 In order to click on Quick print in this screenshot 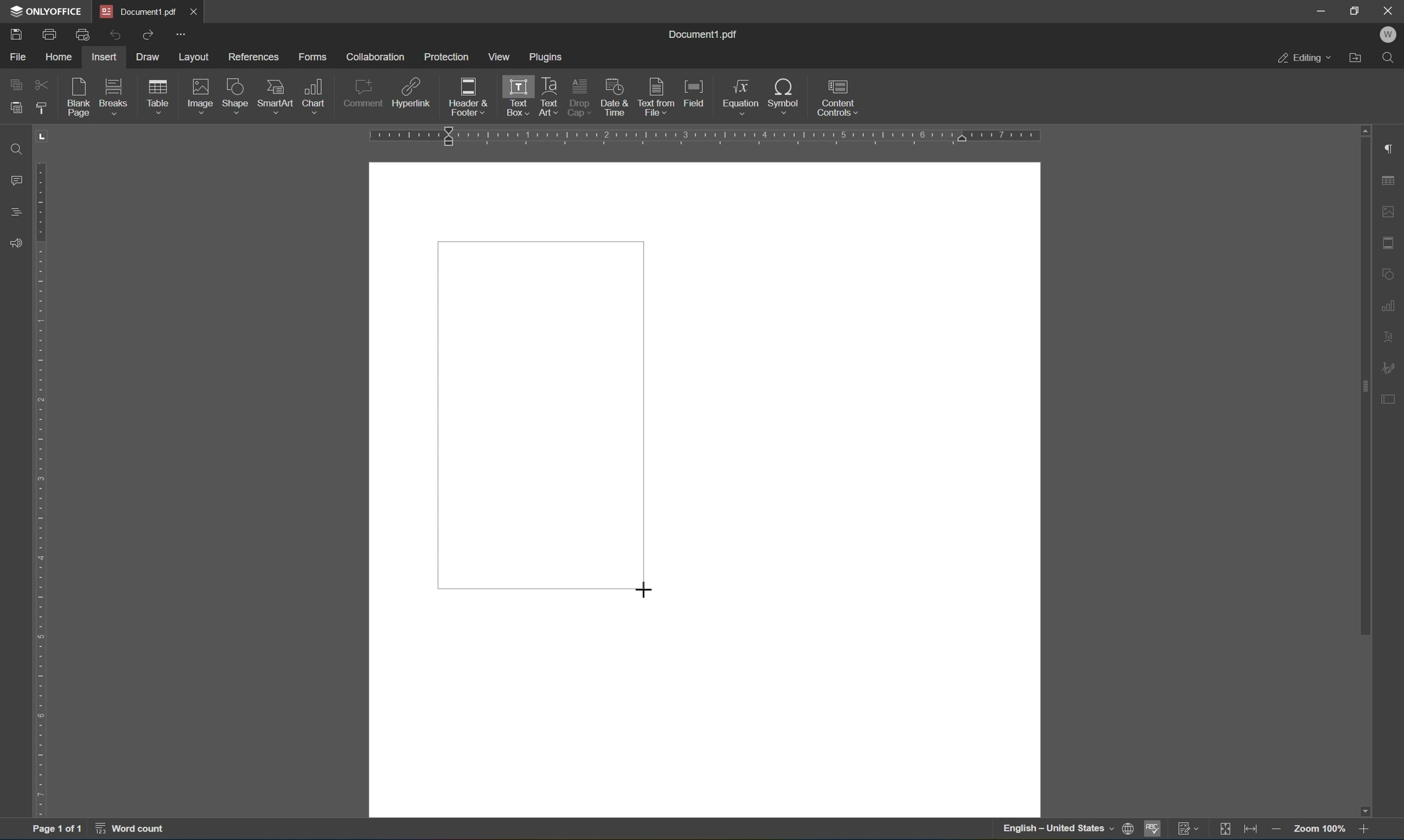, I will do `click(84, 33)`.